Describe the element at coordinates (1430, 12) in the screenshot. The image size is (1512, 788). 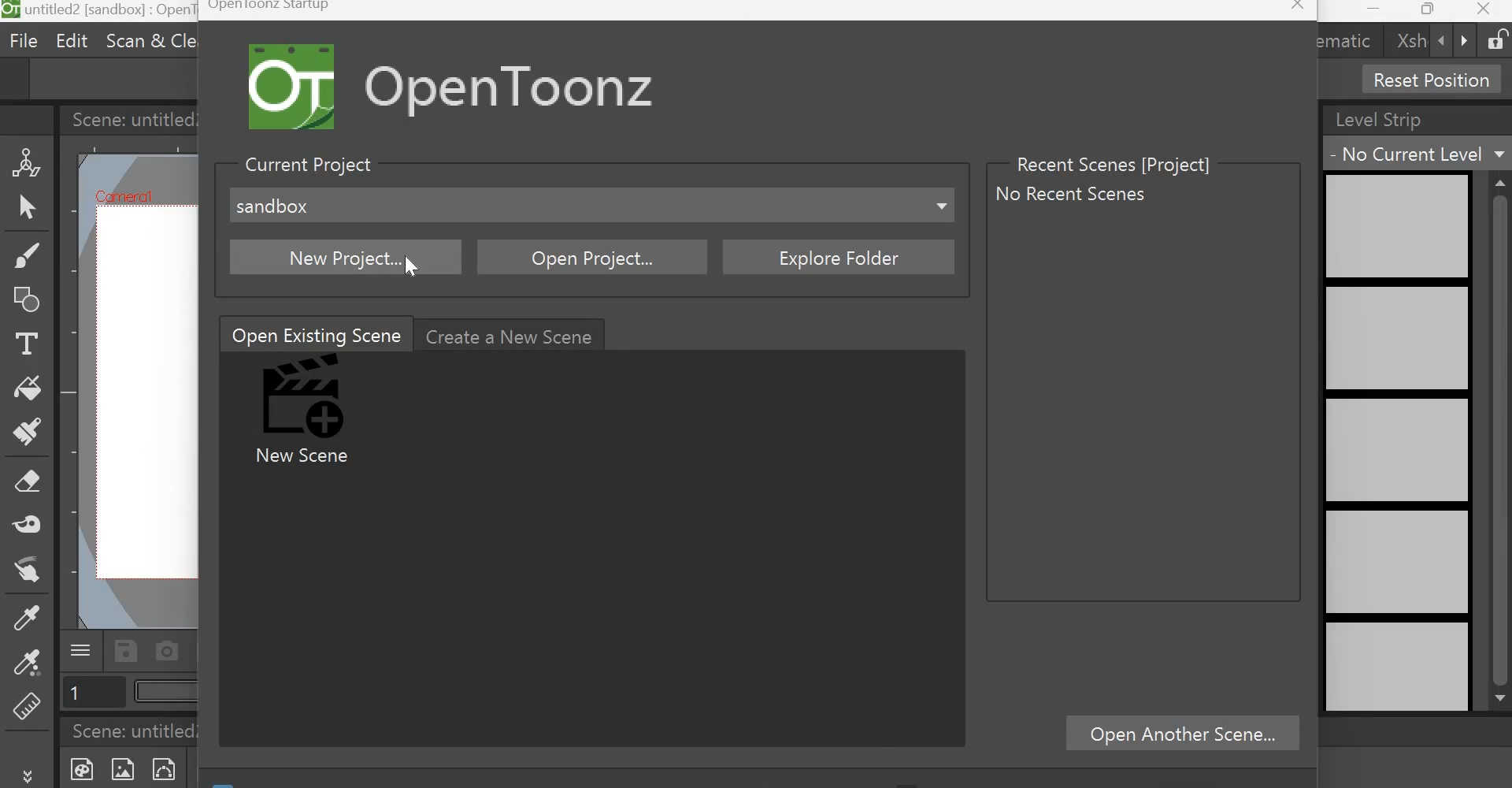
I see `Maximize` at that location.